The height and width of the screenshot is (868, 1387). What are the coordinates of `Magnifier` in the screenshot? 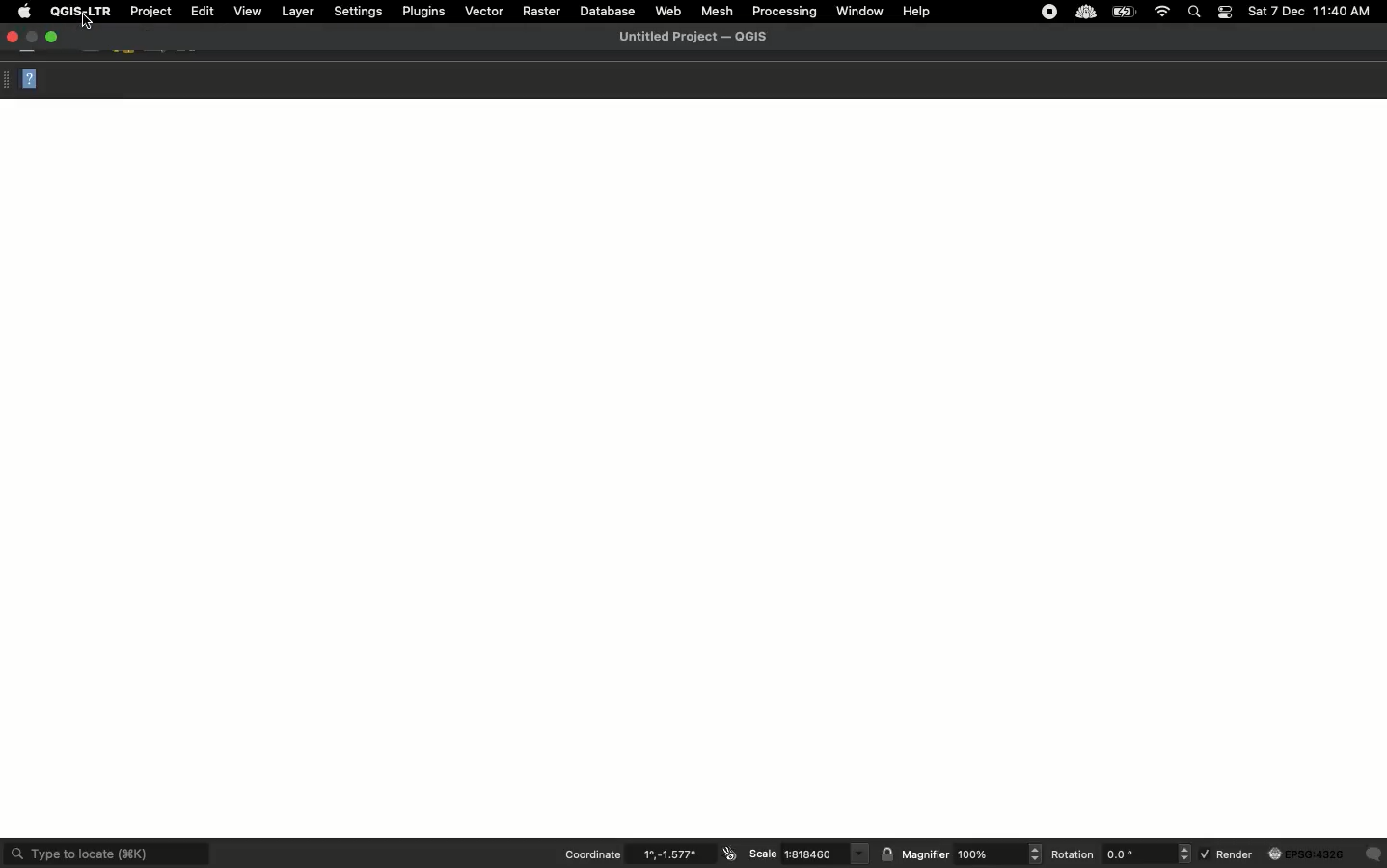 It's located at (968, 854).